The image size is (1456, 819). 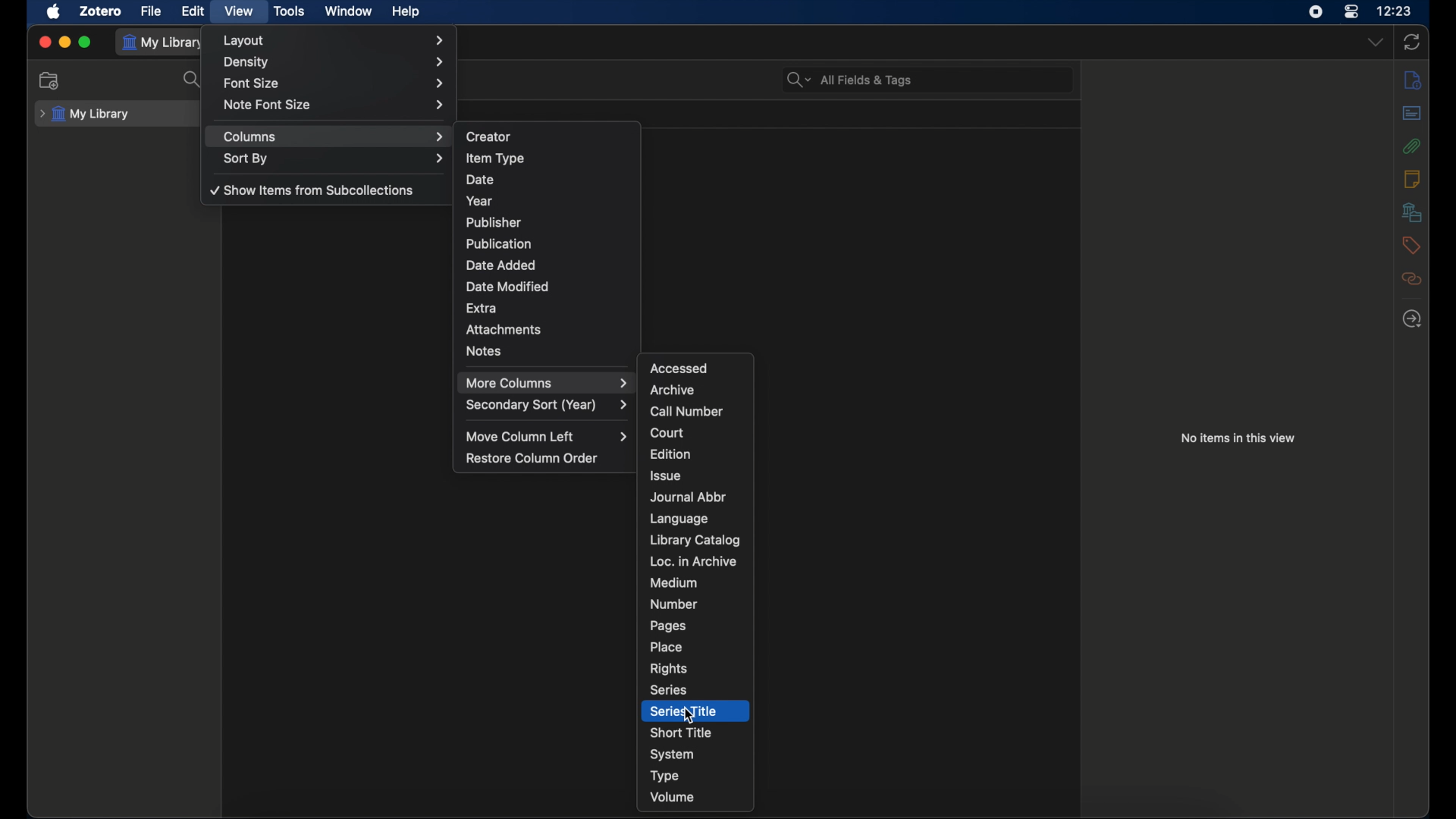 What do you see at coordinates (333, 84) in the screenshot?
I see `font size` at bounding box center [333, 84].